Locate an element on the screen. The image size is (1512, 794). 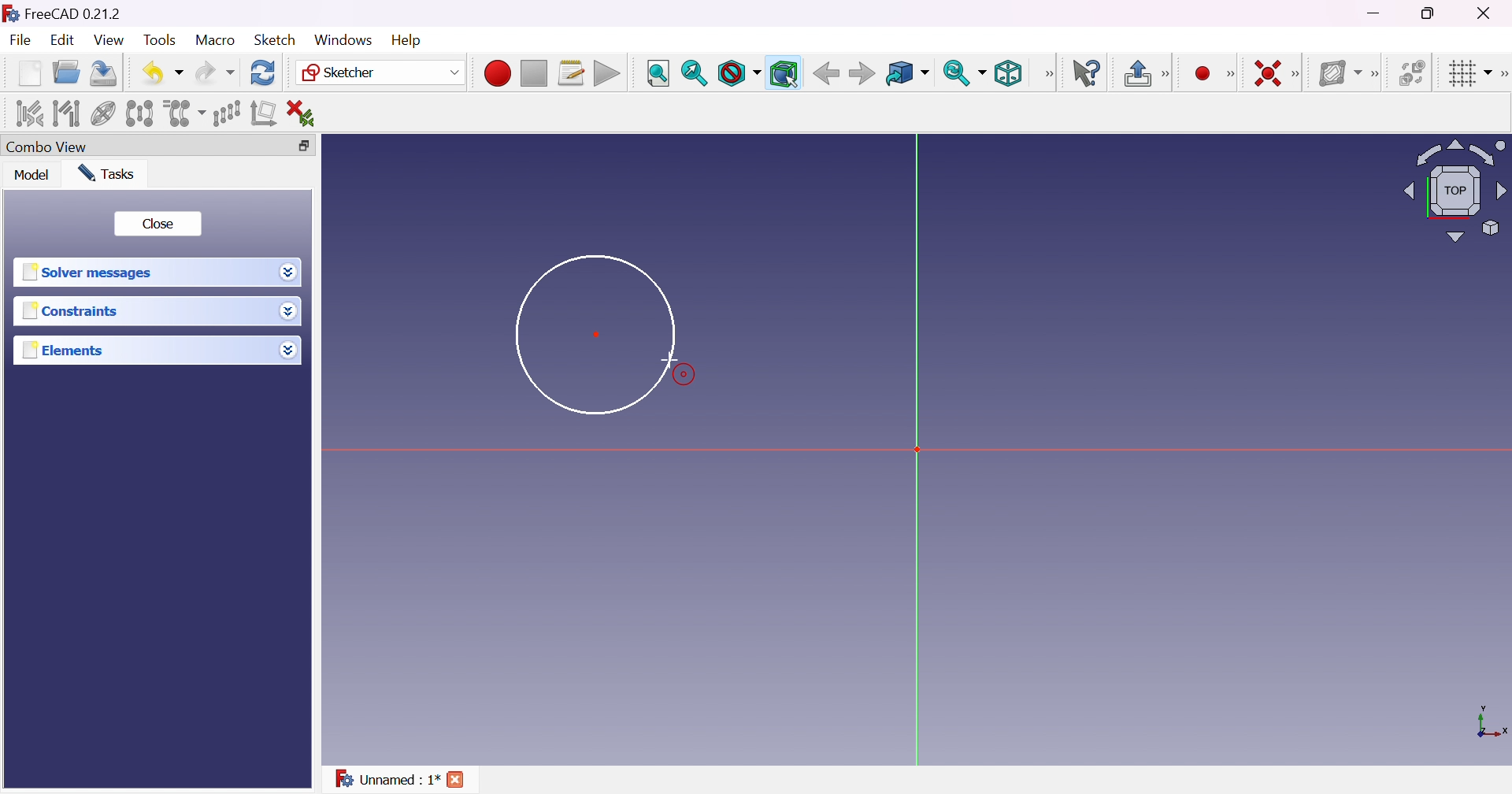
Close is located at coordinates (159, 222).